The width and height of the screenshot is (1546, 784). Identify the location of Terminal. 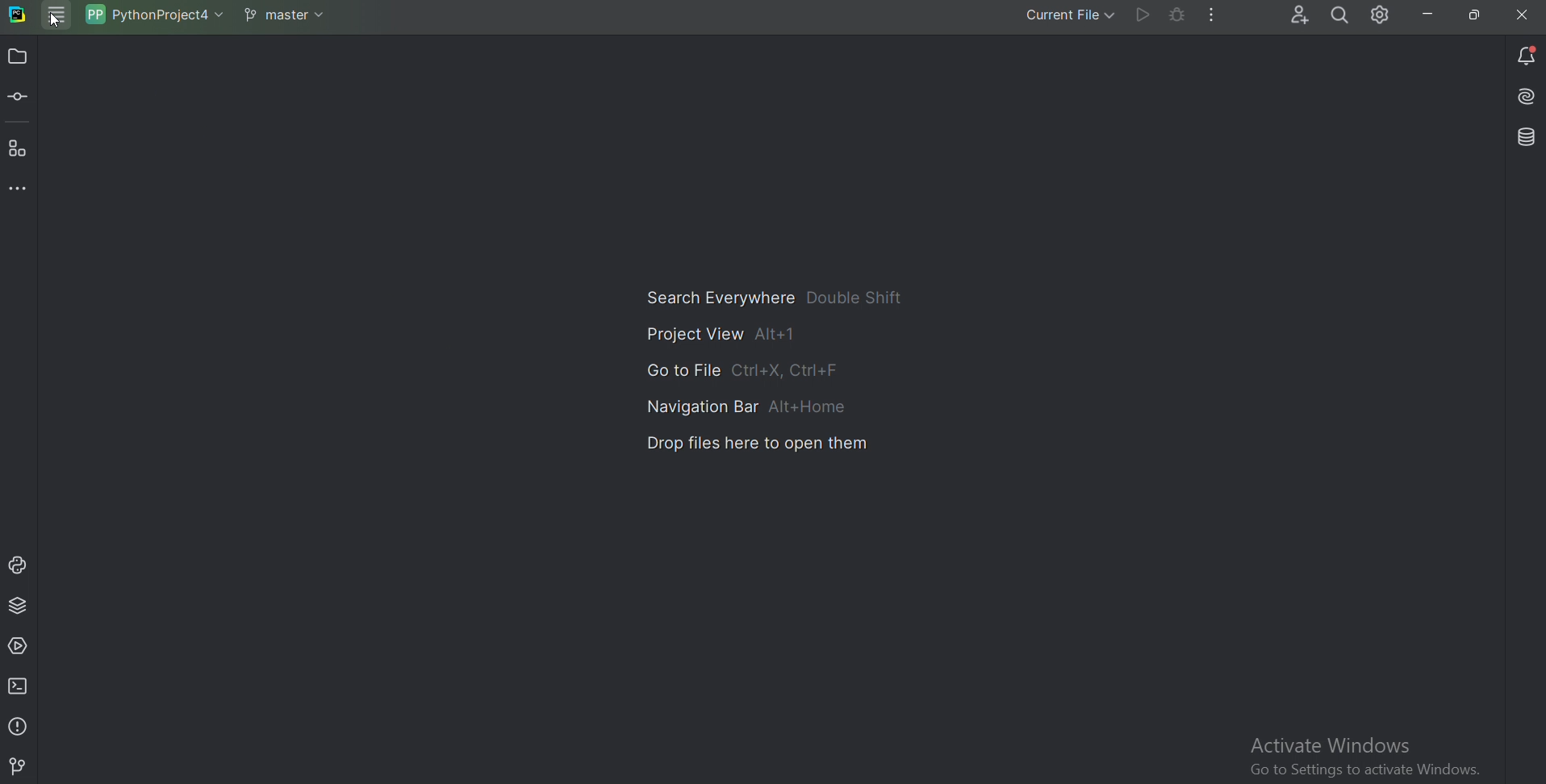
(21, 686).